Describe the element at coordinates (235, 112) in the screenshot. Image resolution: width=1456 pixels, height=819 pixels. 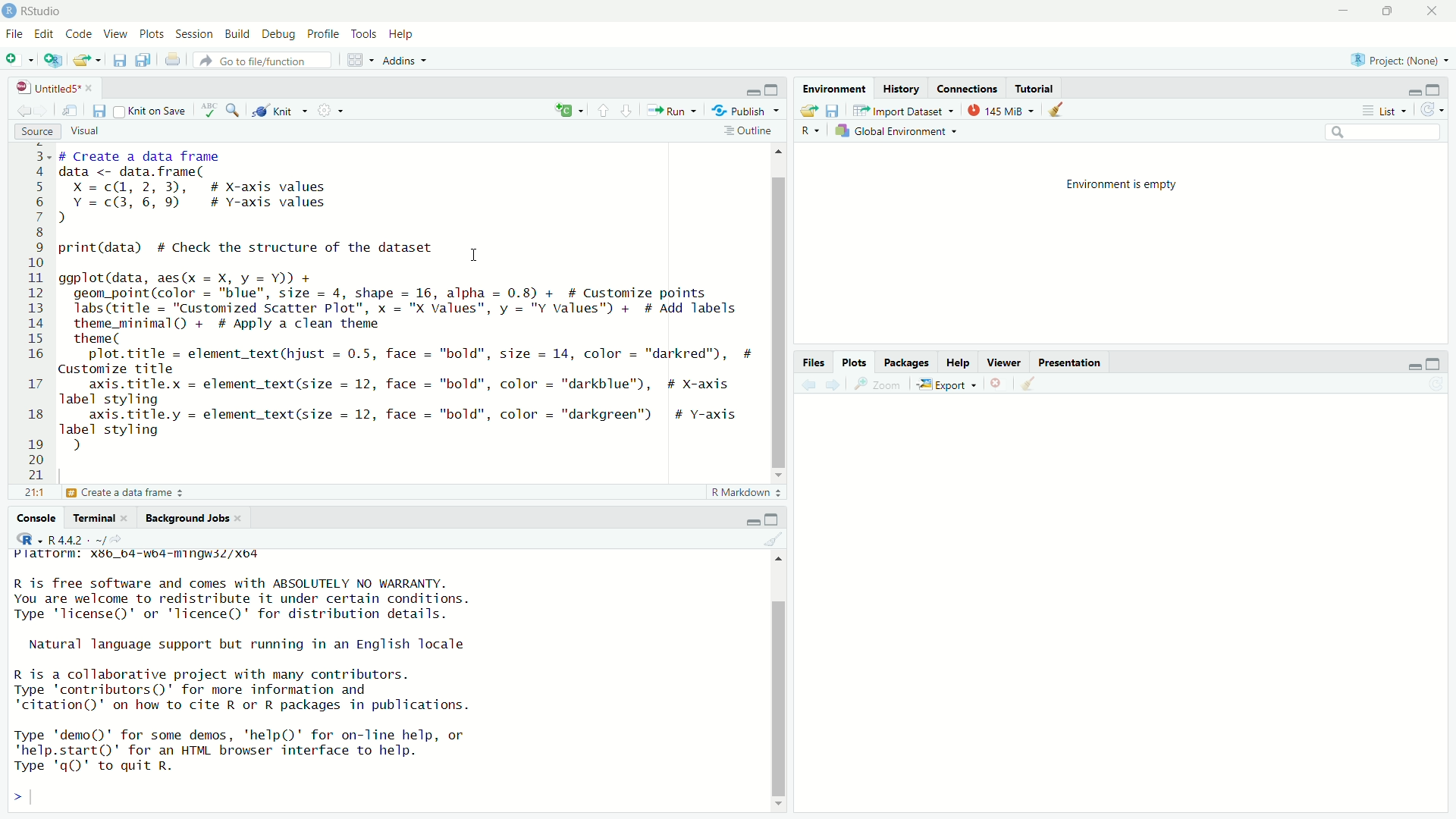
I see `Find/replace` at that location.